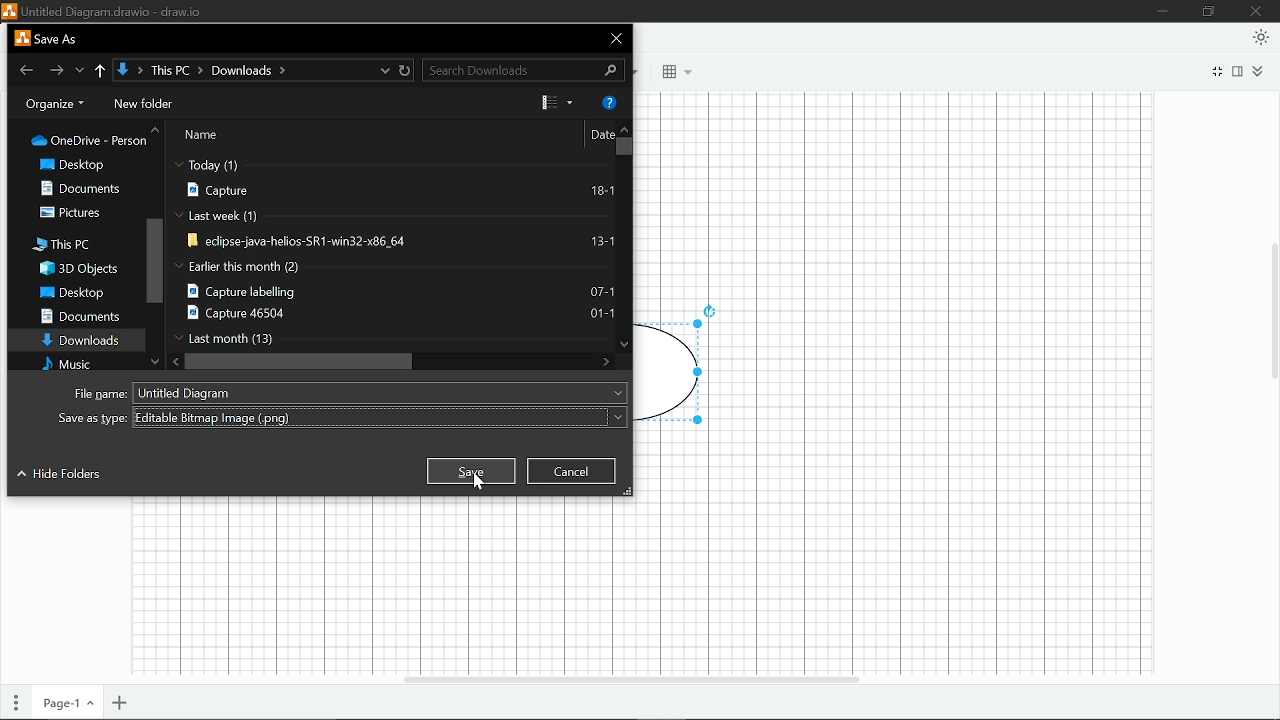 The image size is (1280, 720). I want to click on Documents, so click(89, 188).